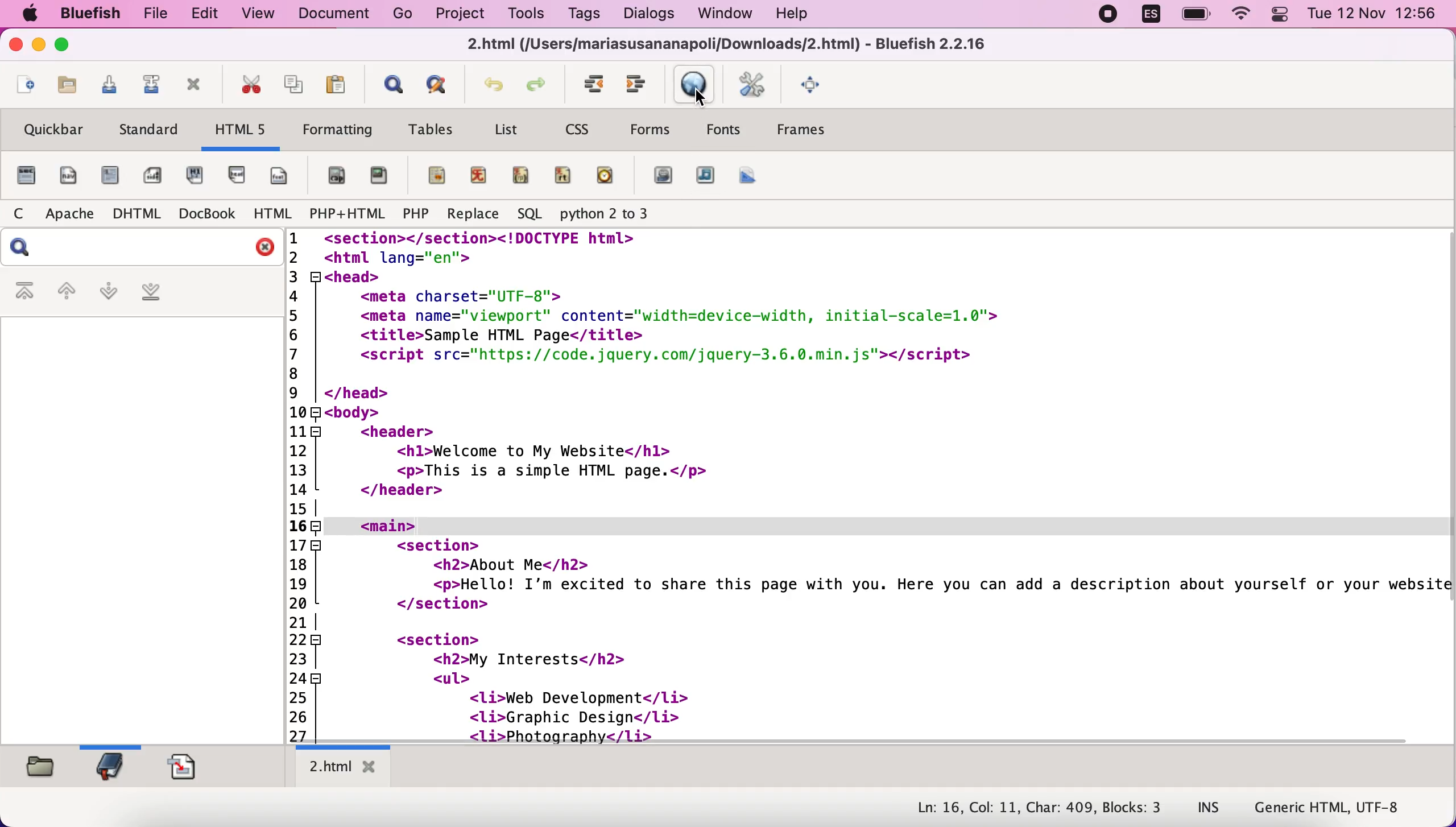 This screenshot has width=1456, height=827. I want to click on bluefish, so click(89, 14).